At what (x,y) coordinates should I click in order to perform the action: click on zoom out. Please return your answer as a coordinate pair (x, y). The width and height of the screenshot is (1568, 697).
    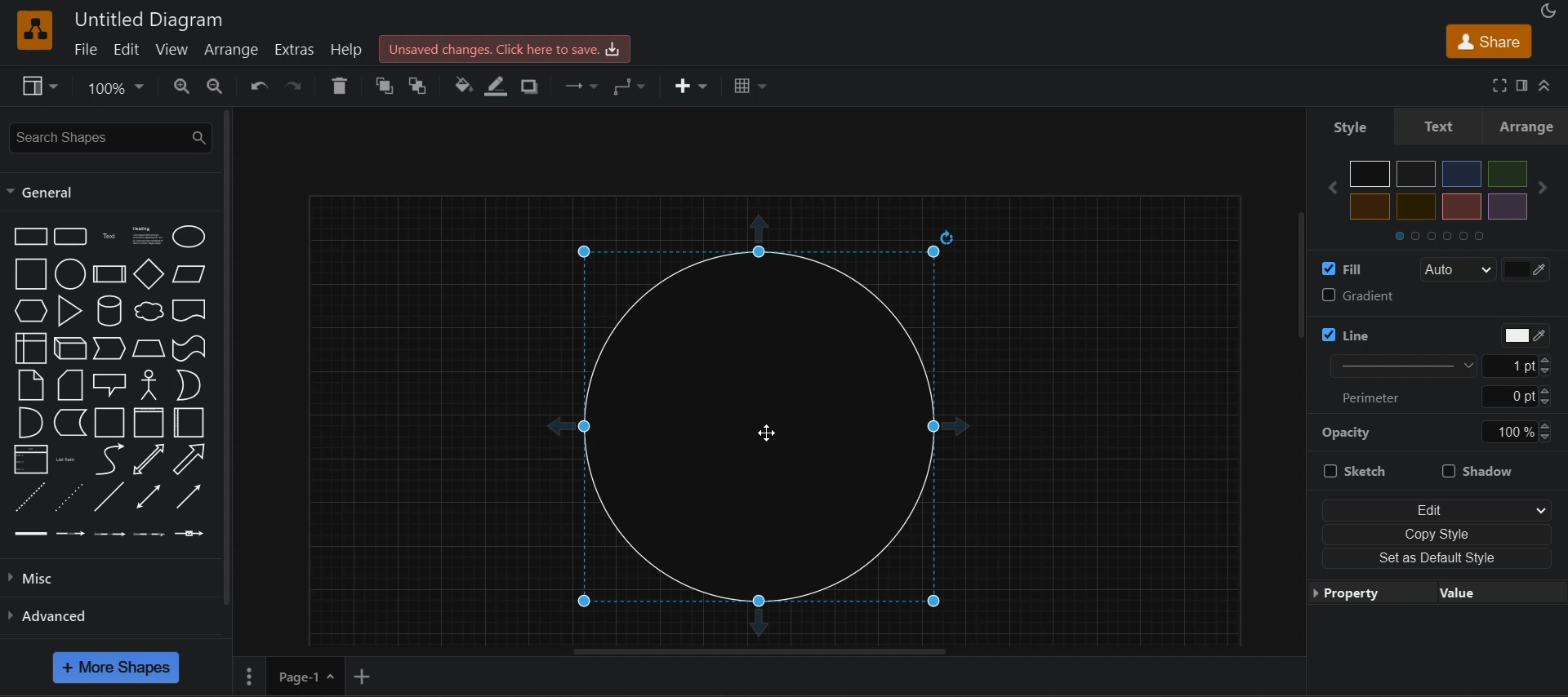
    Looking at the image, I should click on (216, 87).